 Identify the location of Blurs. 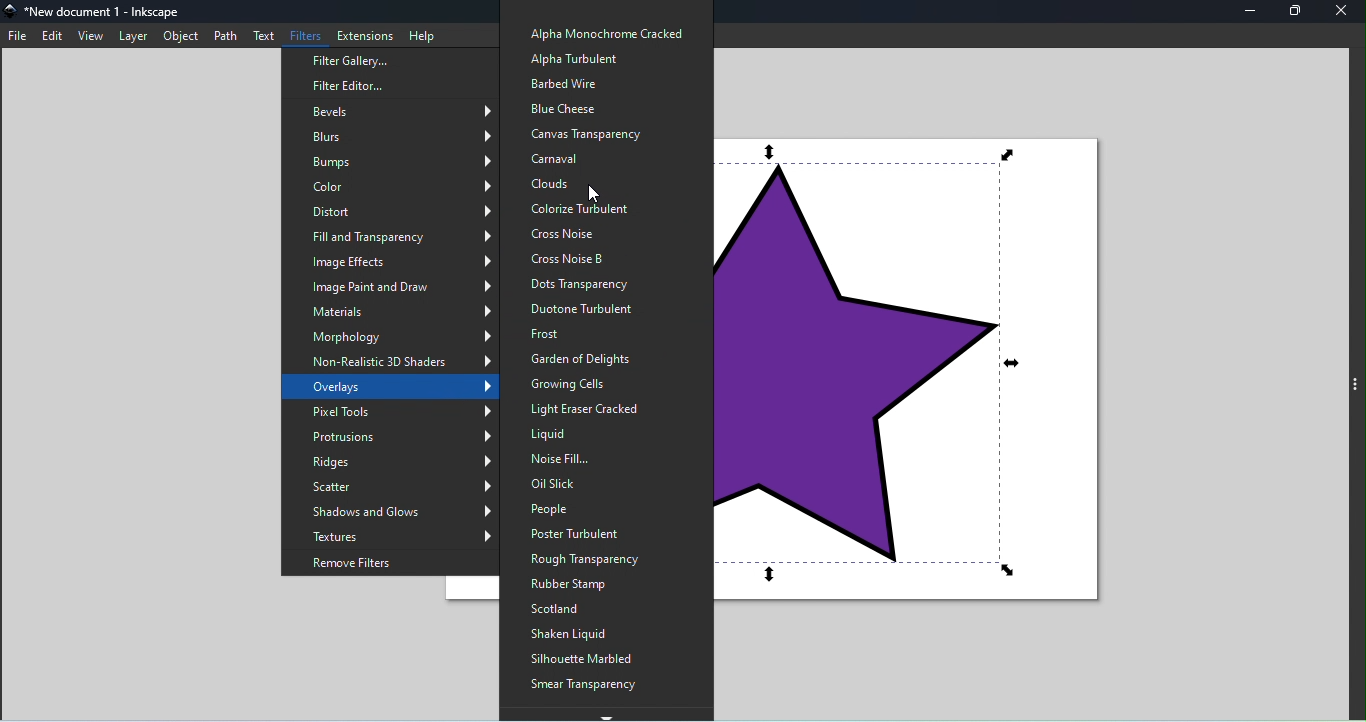
(398, 136).